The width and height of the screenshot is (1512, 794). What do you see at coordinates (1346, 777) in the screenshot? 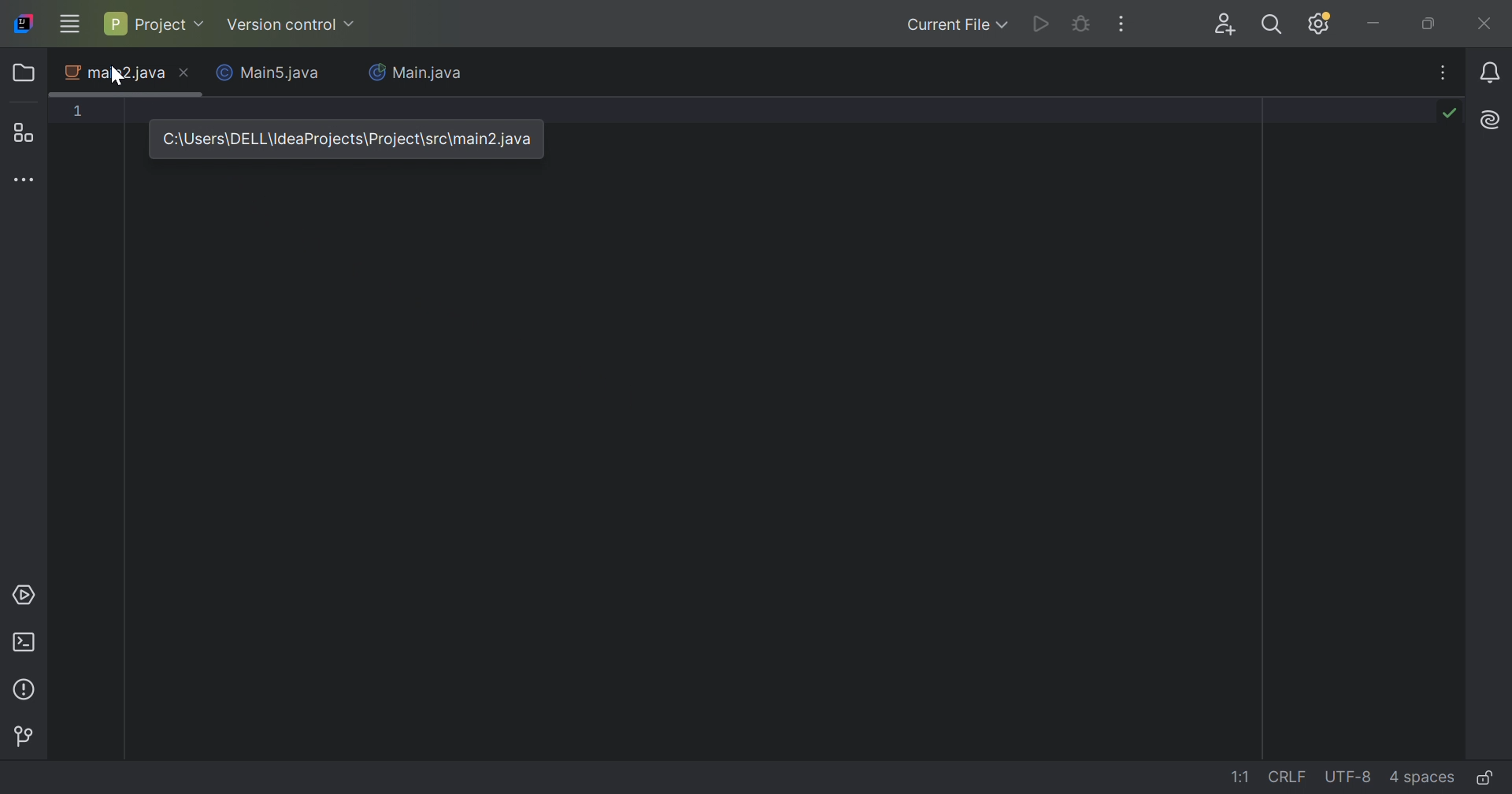
I see `file encoding: UTF-8` at bounding box center [1346, 777].